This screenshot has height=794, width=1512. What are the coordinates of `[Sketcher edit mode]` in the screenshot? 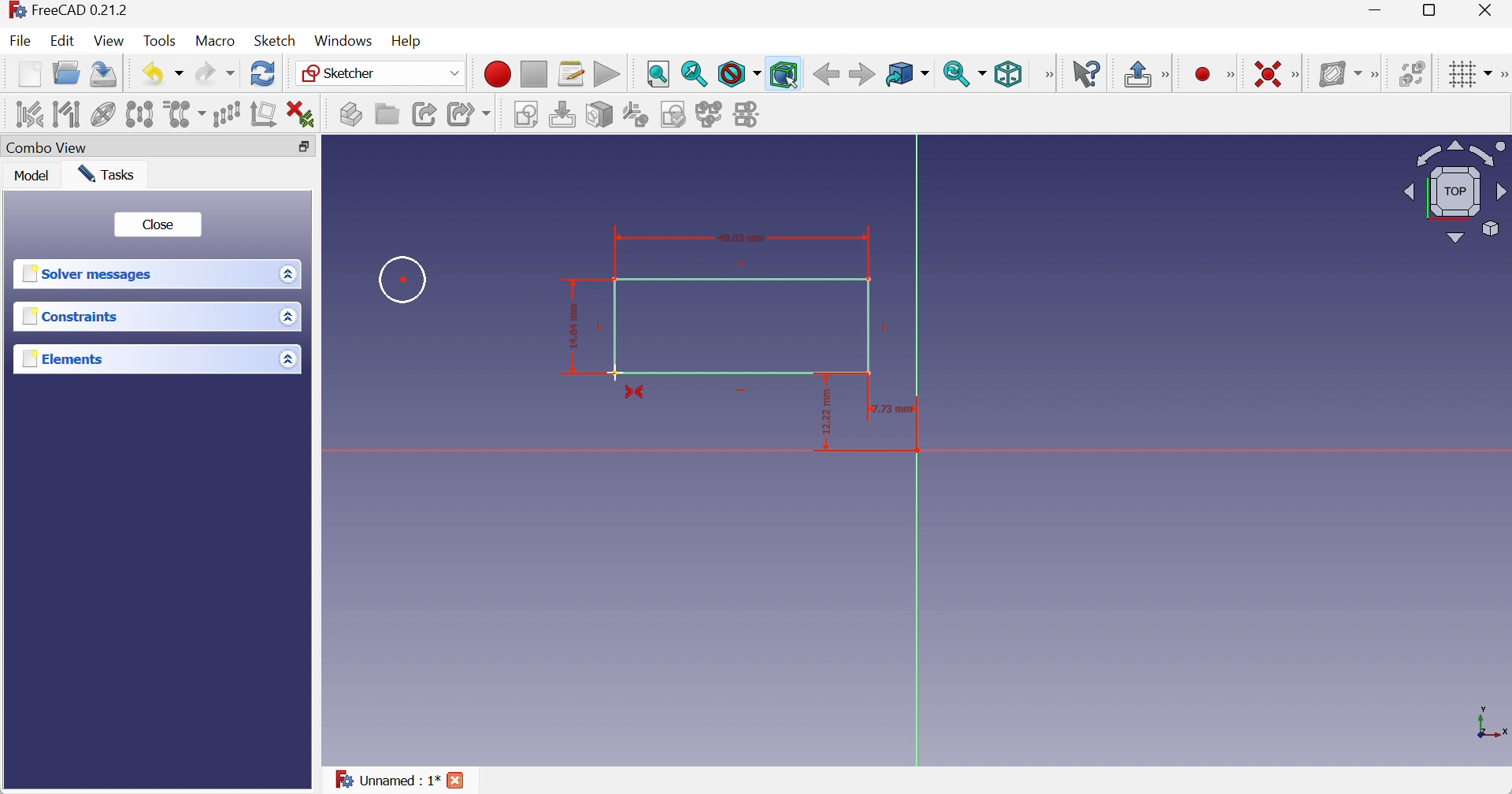 It's located at (1168, 76).